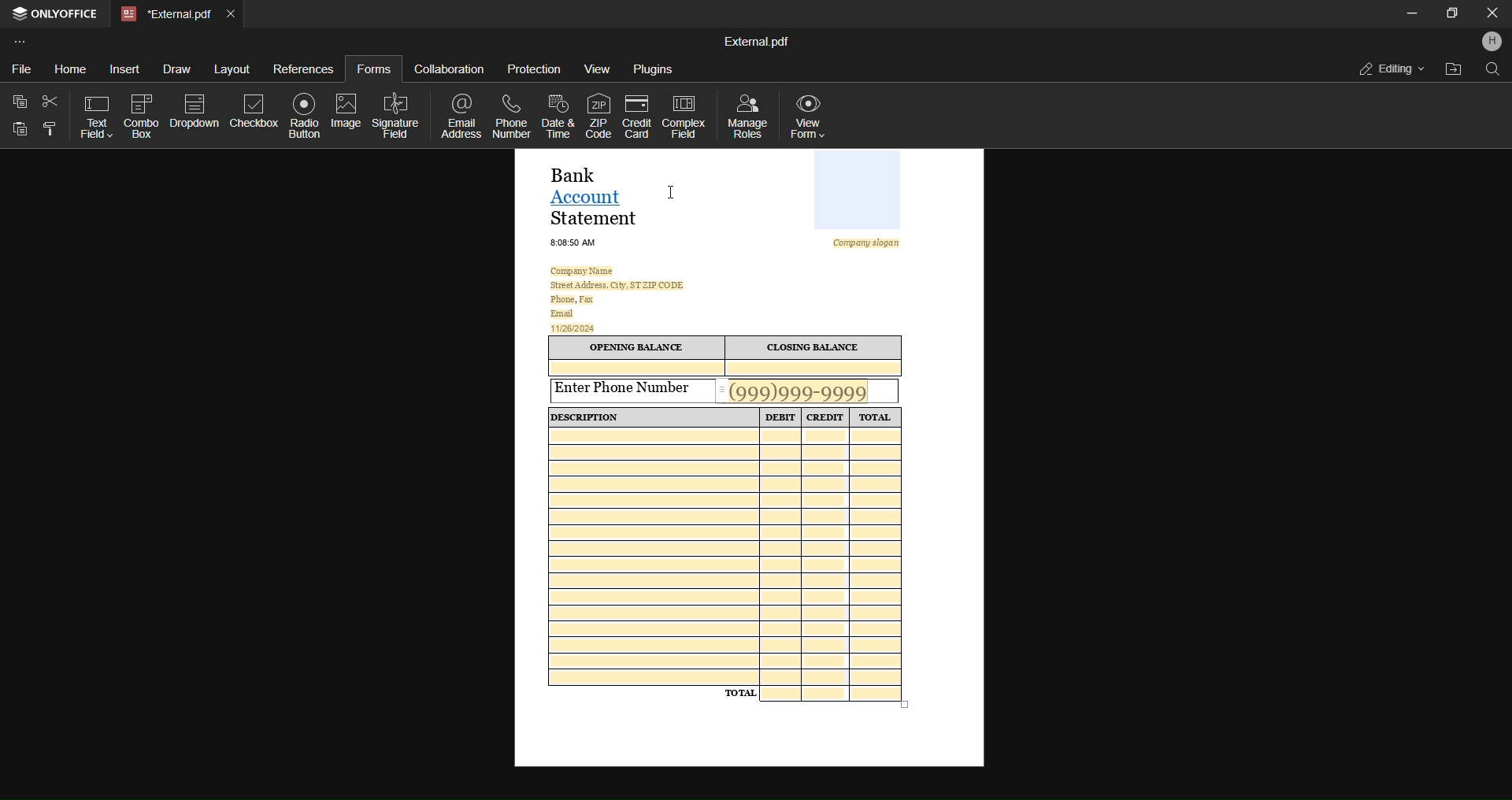 The image size is (1512, 800). What do you see at coordinates (749, 465) in the screenshot?
I see `Sample template form of a Bank Account Statement` at bounding box center [749, 465].